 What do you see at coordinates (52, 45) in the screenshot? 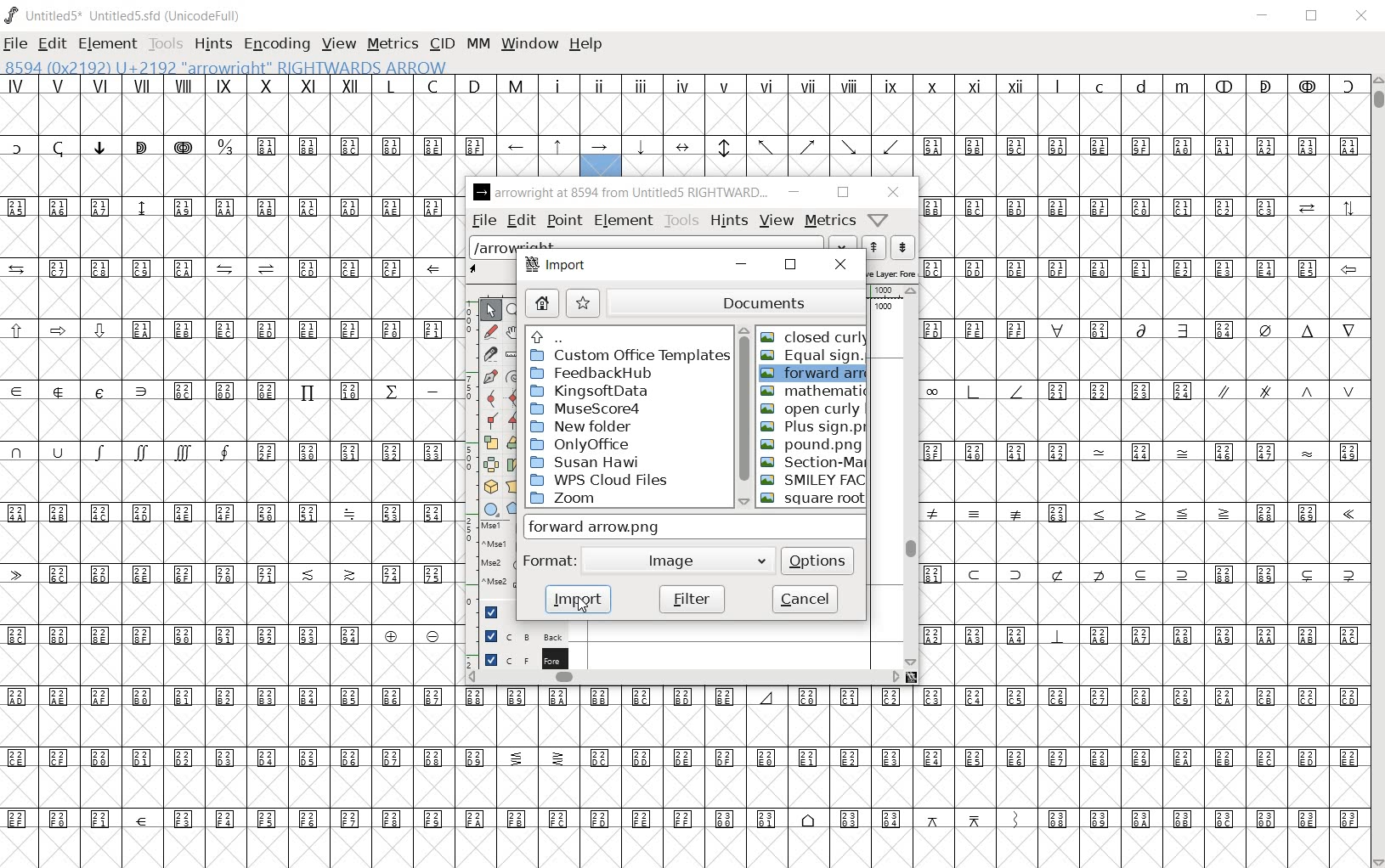
I see `EDIT` at bounding box center [52, 45].